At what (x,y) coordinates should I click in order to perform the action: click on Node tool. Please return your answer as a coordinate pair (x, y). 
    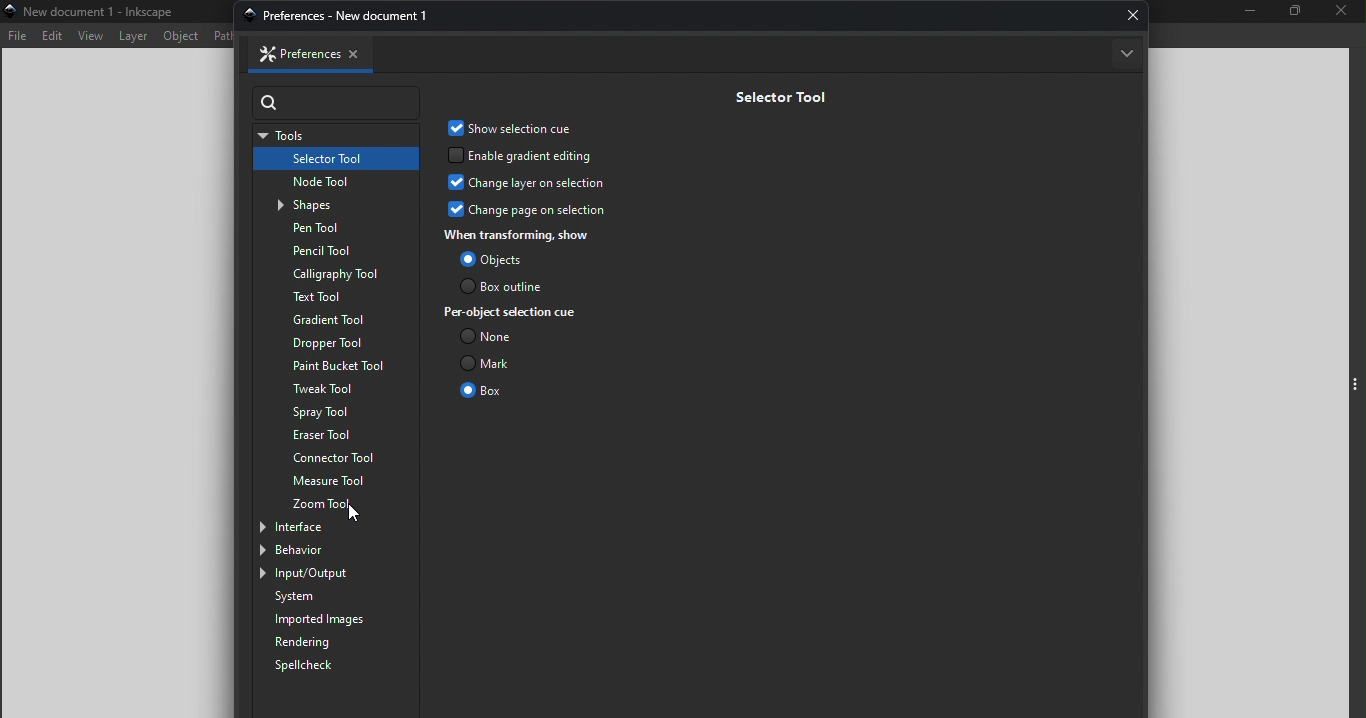
    Looking at the image, I should click on (315, 183).